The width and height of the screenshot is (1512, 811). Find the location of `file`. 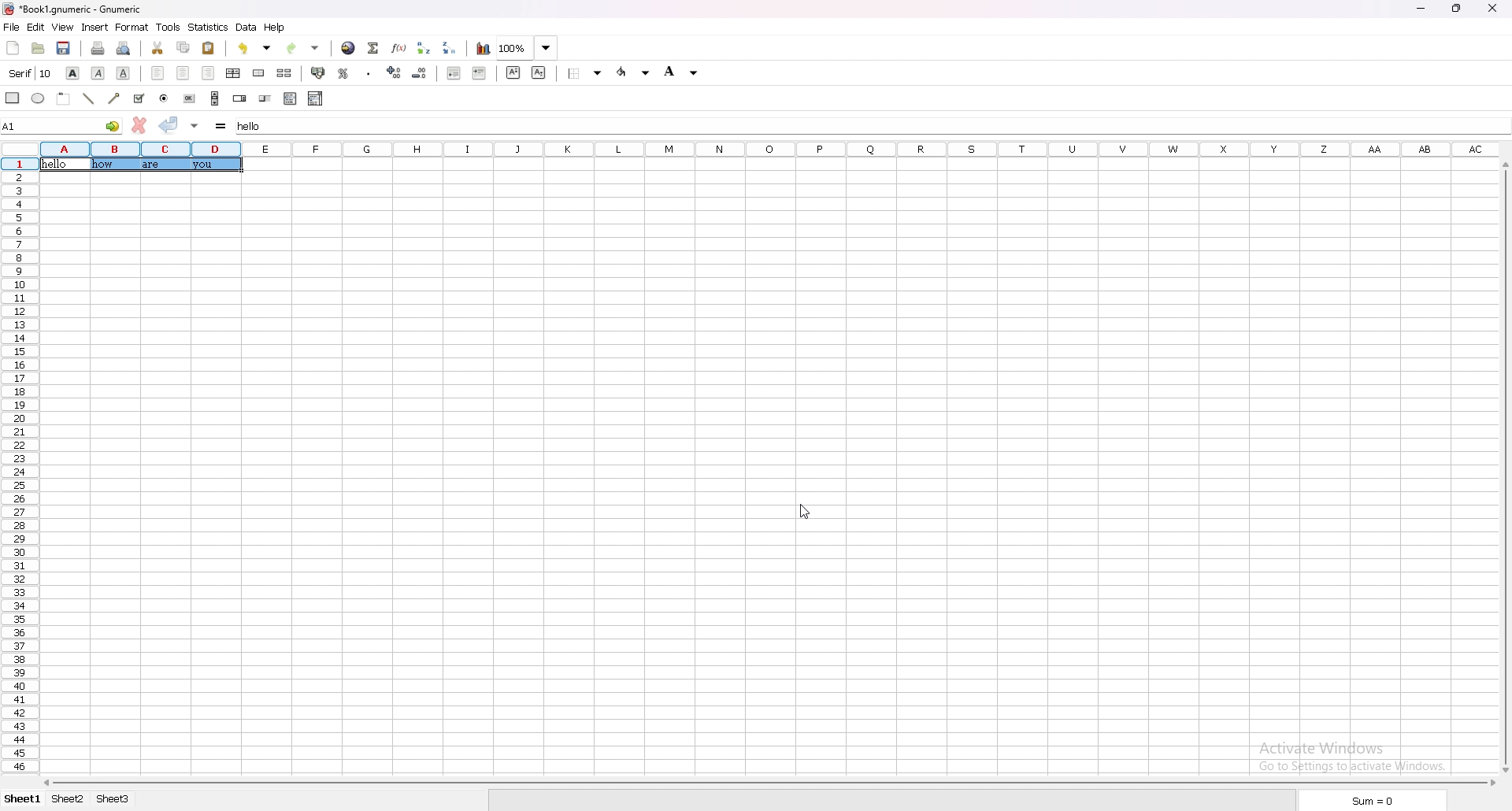

file is located at coordinates (12, 27).